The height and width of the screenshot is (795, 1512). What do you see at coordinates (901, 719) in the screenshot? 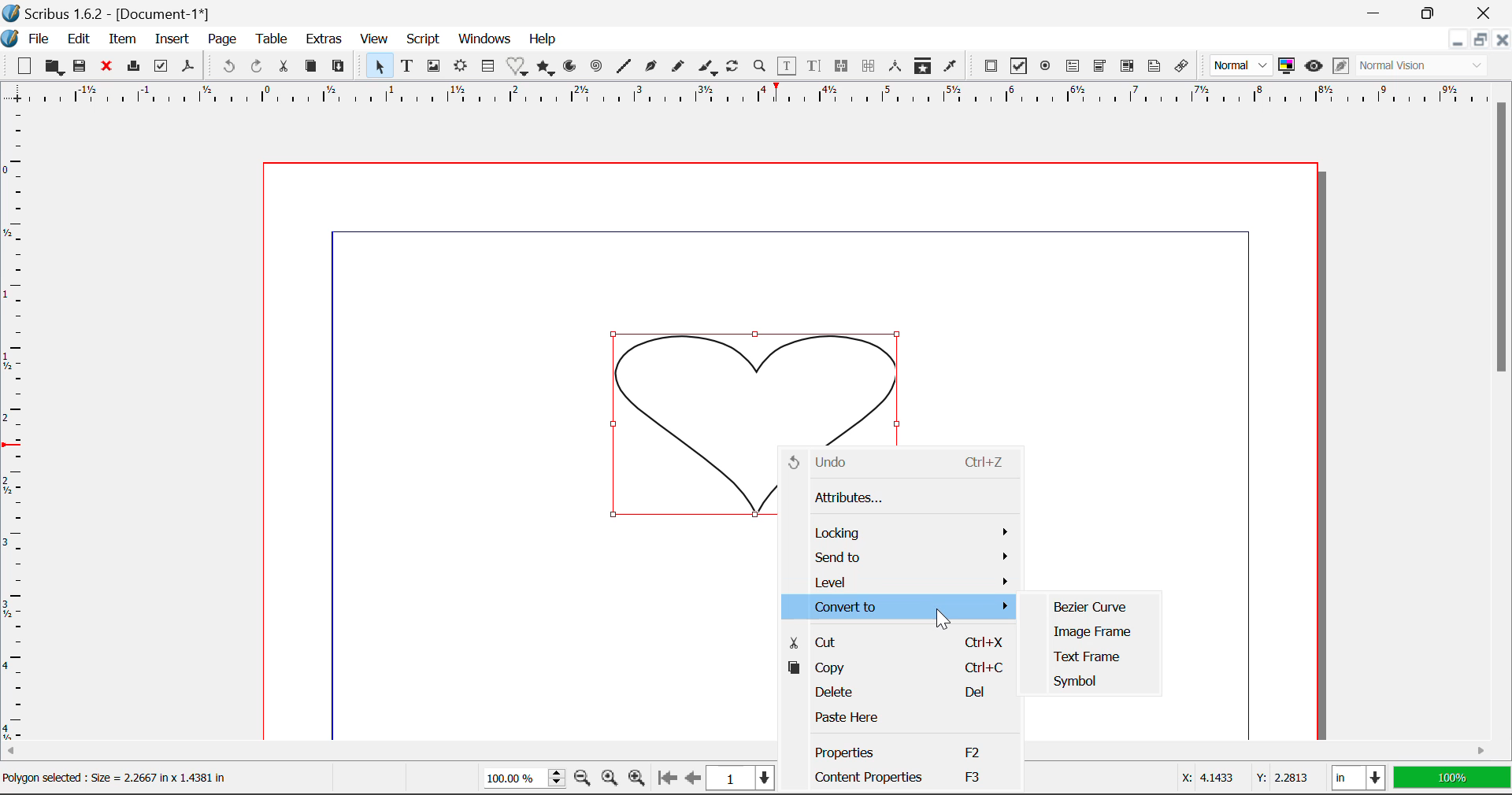
I see `Paste Here` at bounding box center [901, 719].